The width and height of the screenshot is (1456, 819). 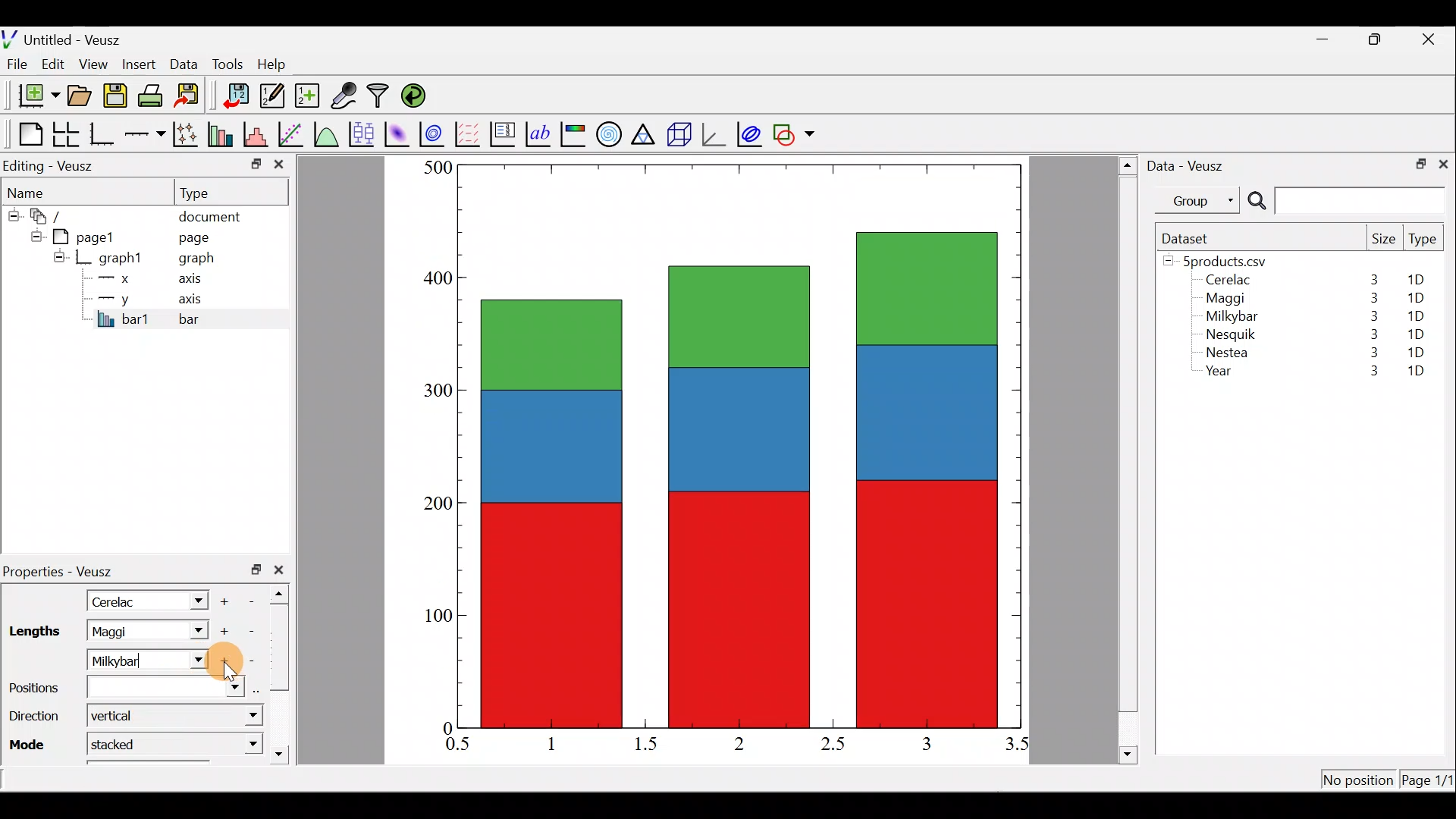 What do you see at coordinates (433, 620) in the screenshot?
I see `100` at bounding box center [433, 620].